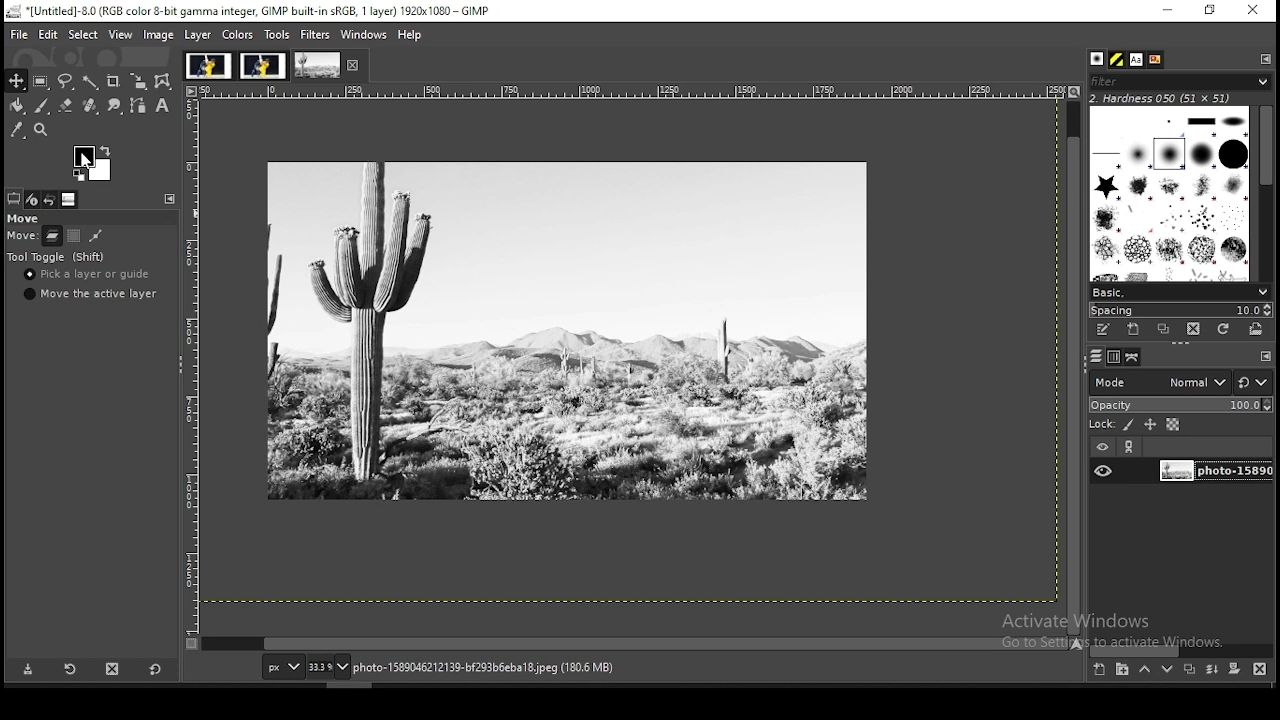 This screenshot has width=1280, height=720. What do you see at coordinates (1131, 447) in the screenshot?
I see `link` at bounding box center [1131, 447].